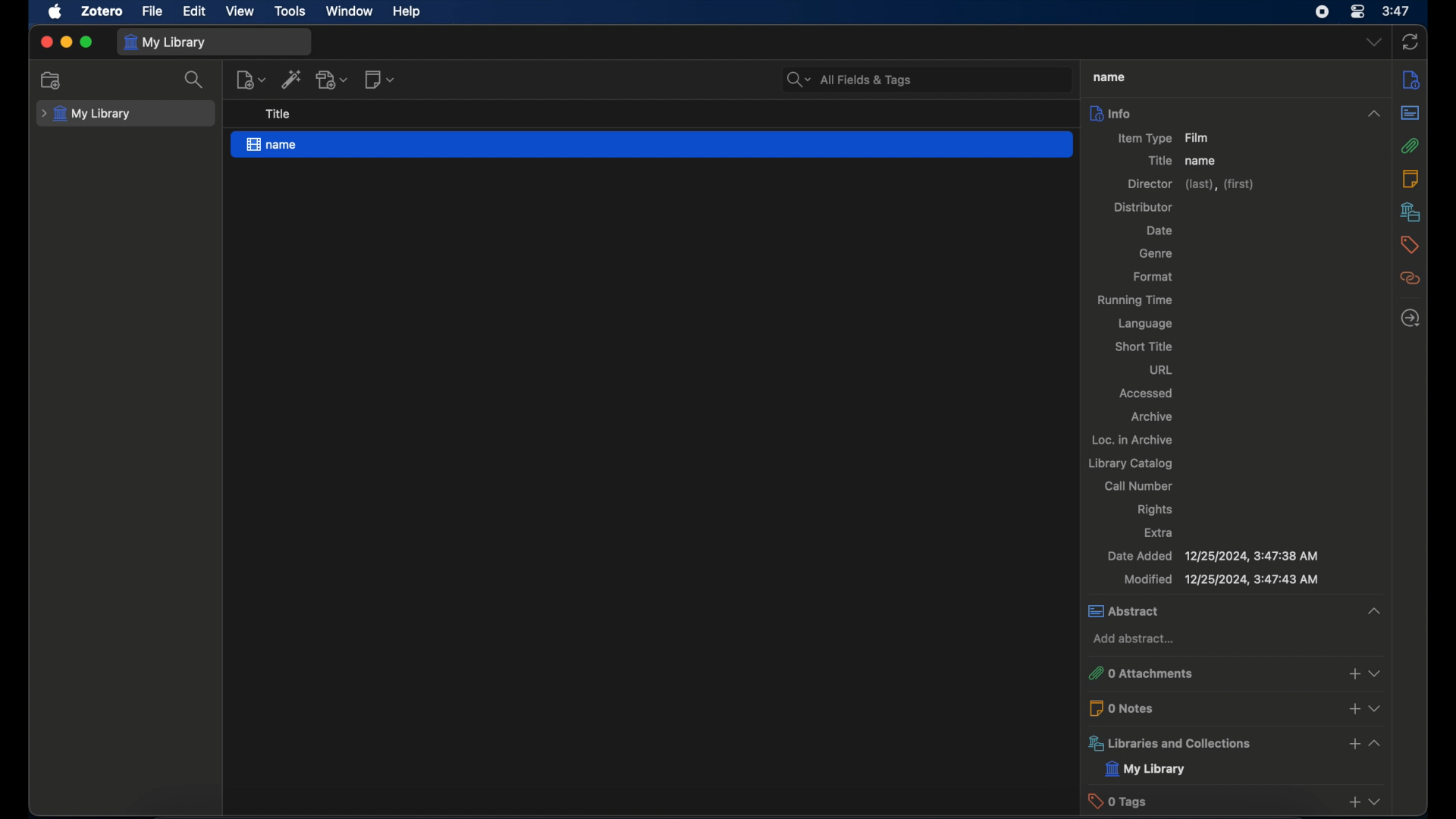 This screenshot has height=819, width=1456. Describe the element at coordinates (1380, 708) in the screenshot. I see `dropdown` at that location.